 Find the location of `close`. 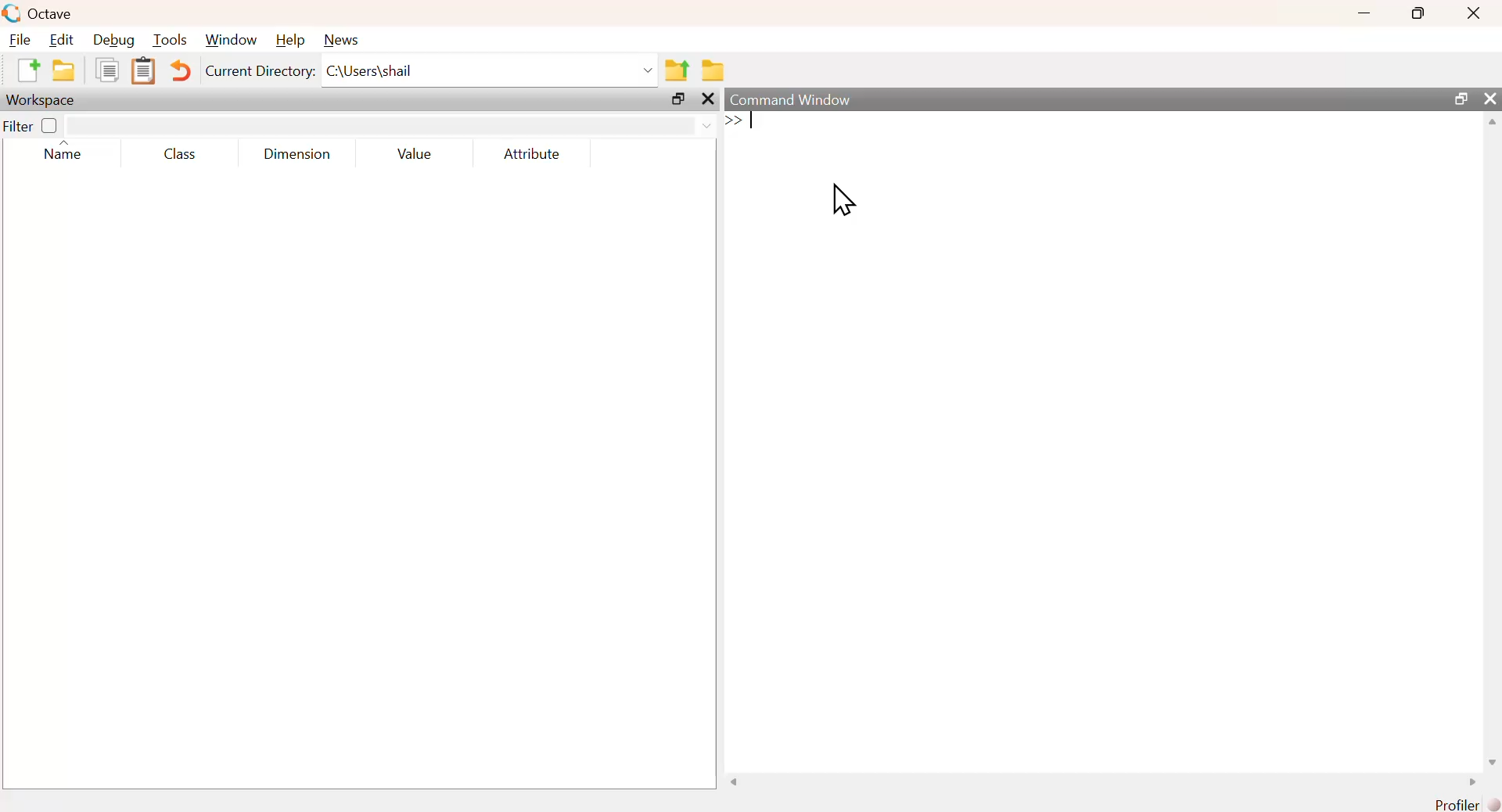

close is located at coordinates (1490, 98).